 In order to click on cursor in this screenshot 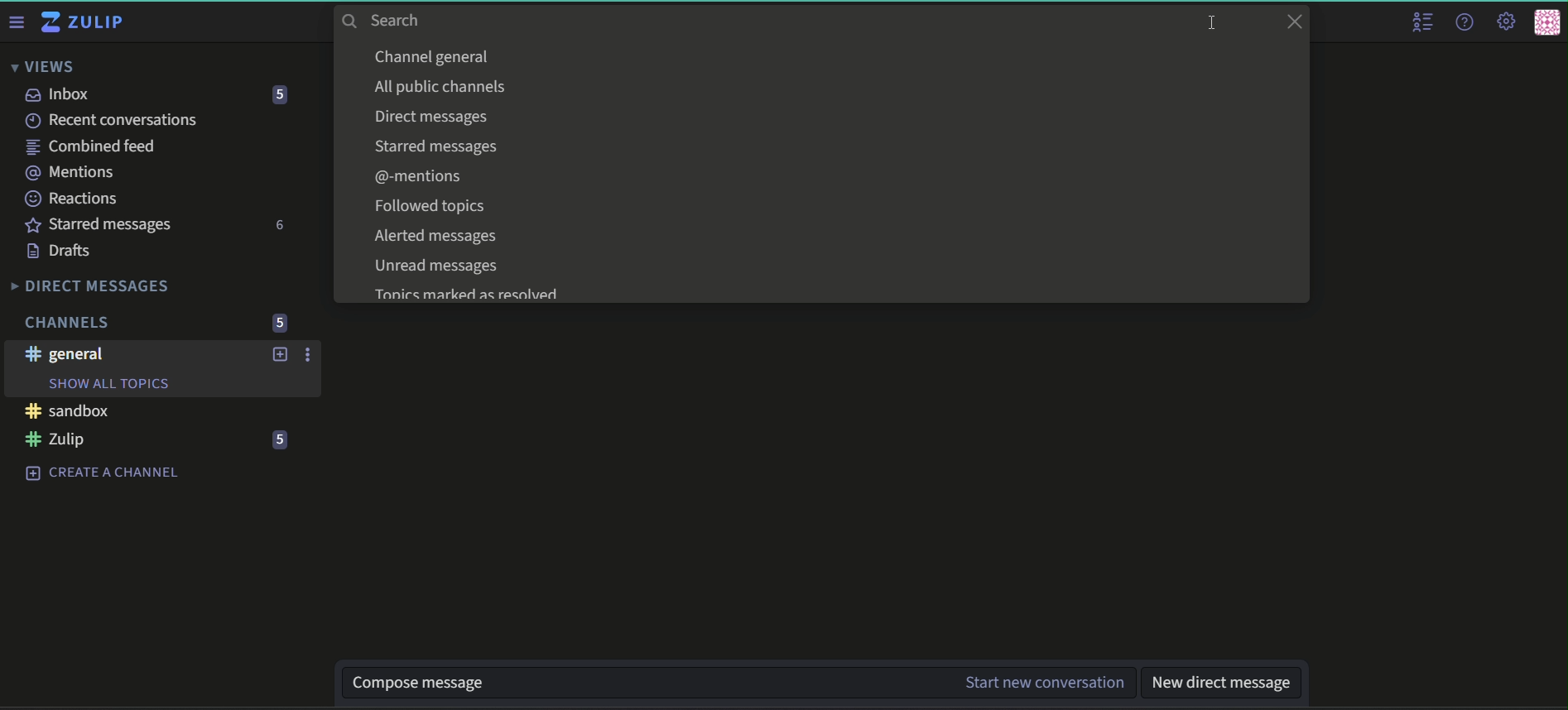, I will do `click(1211, 22)`.